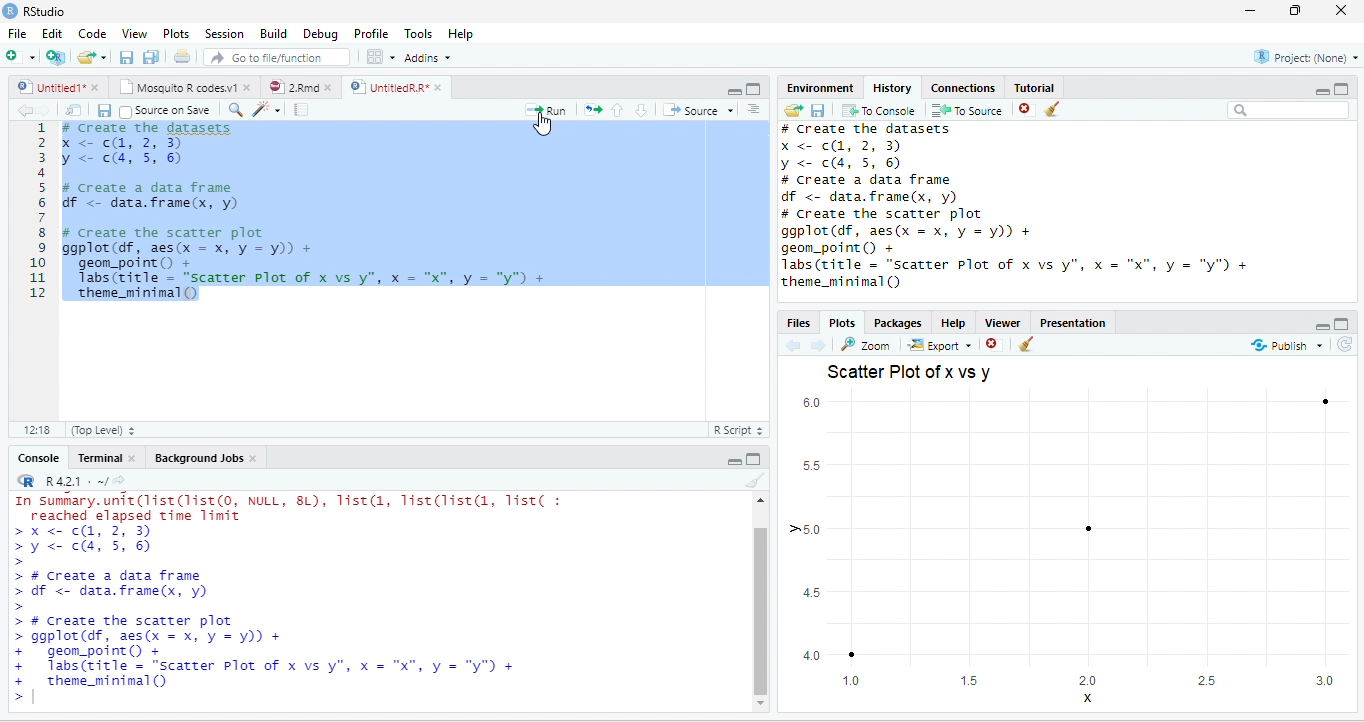 The height and width of the screenshot is (722, 1364). What do you see at coordinates (842, 321) in the screenshot?
I see `Plots` at bounding box center [842, 321].